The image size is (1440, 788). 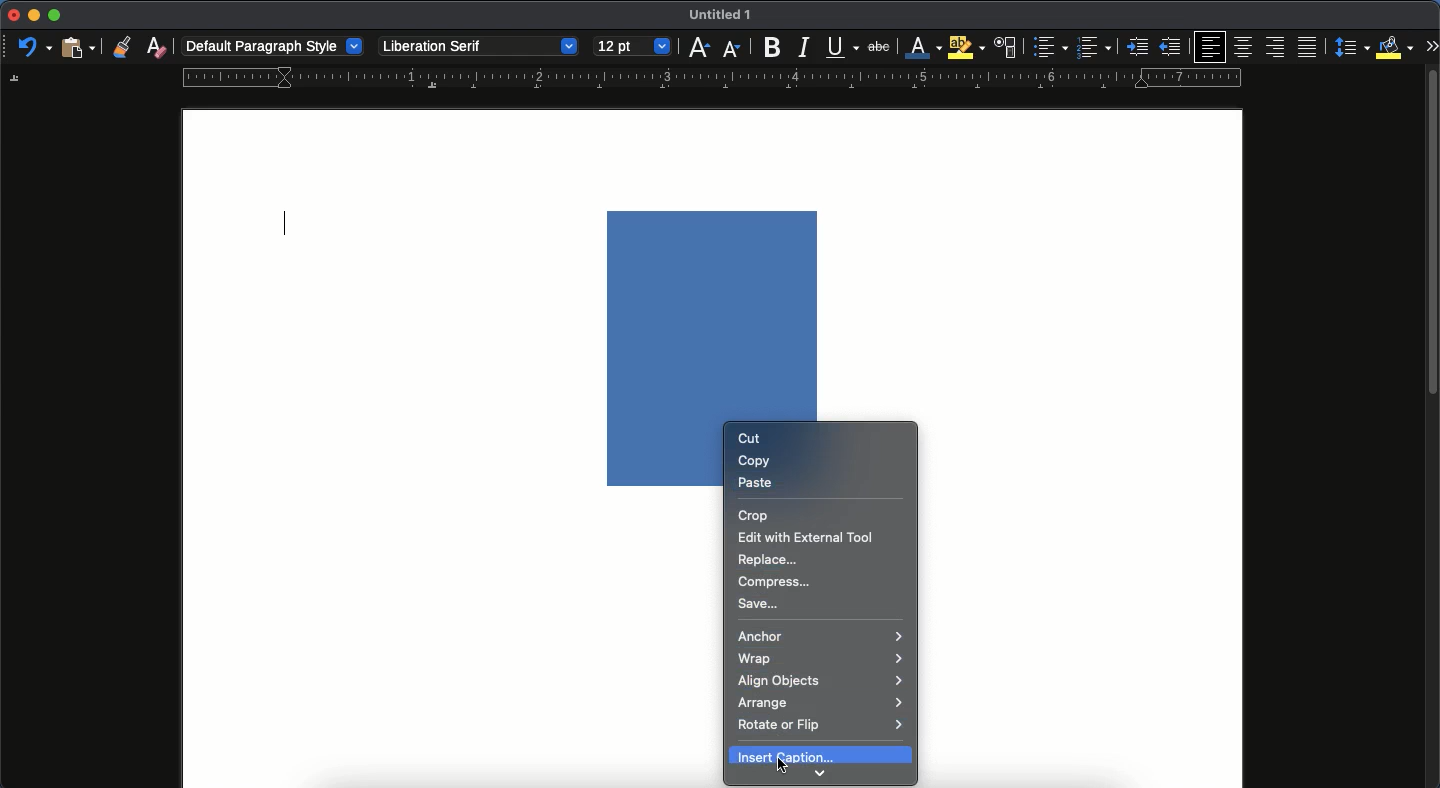 What do you see at coordinates (823, 703) in the screenshot?
I see `arrange` at bounding box center [823, 703].